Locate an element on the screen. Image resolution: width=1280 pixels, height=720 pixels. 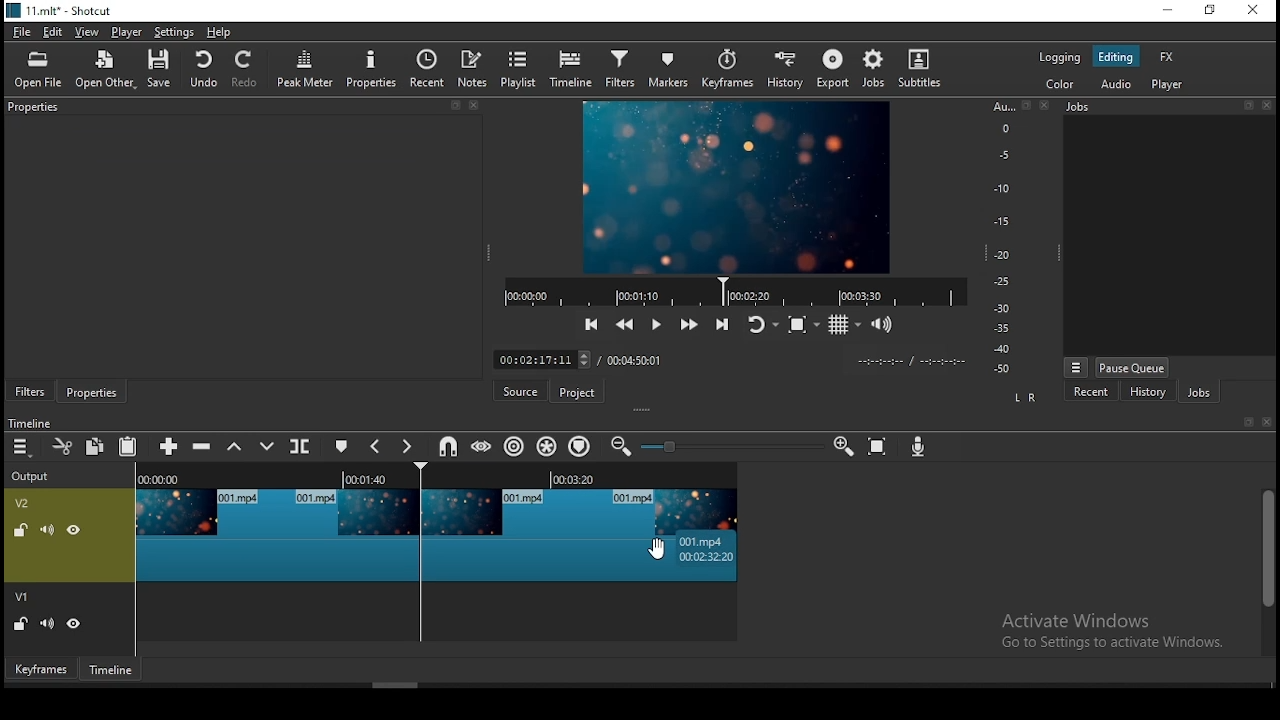
(UN)MUTE is located at coordinates (46, 528).